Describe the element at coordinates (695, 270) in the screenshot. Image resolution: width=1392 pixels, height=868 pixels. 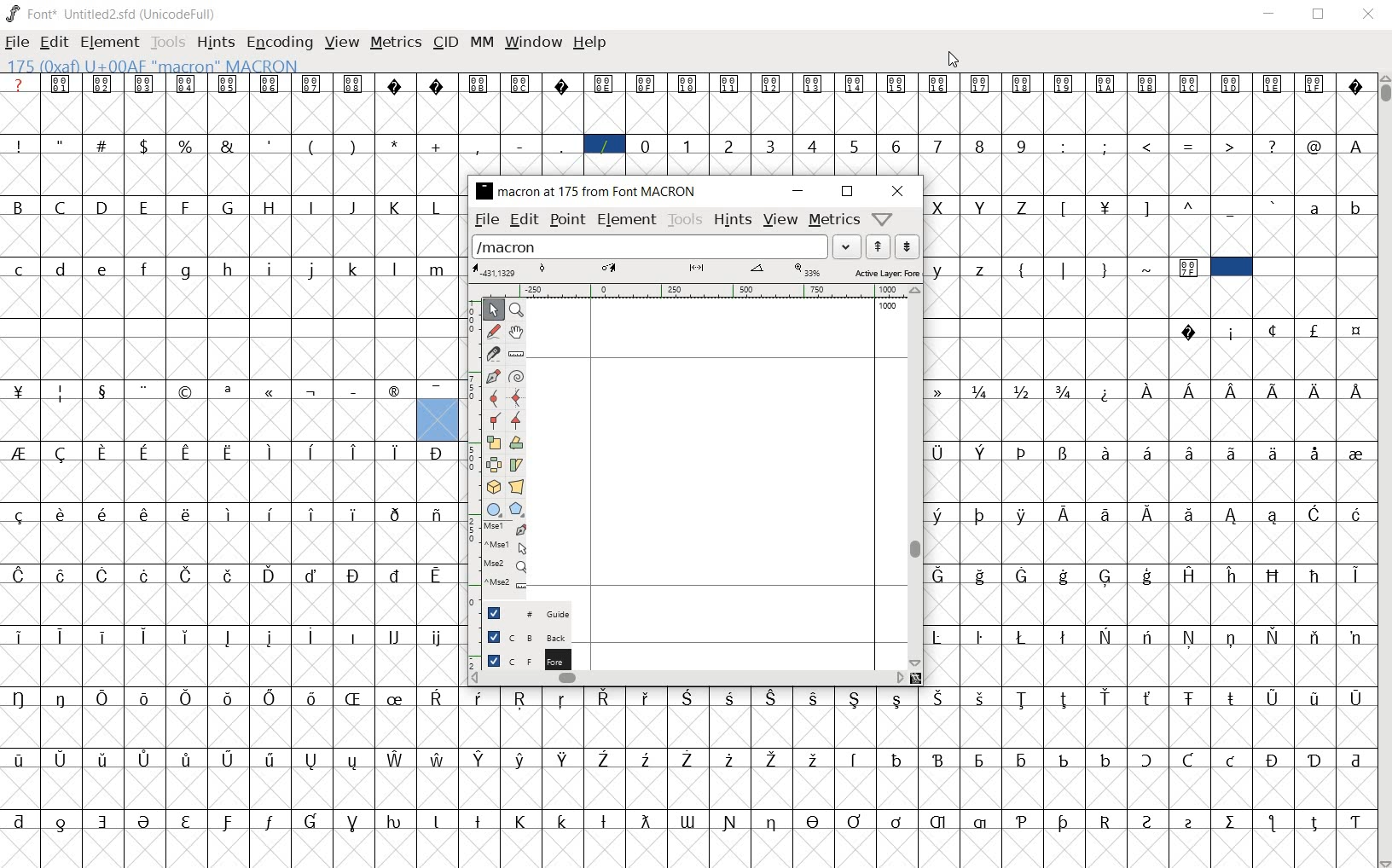
I see `active layer` at that location.